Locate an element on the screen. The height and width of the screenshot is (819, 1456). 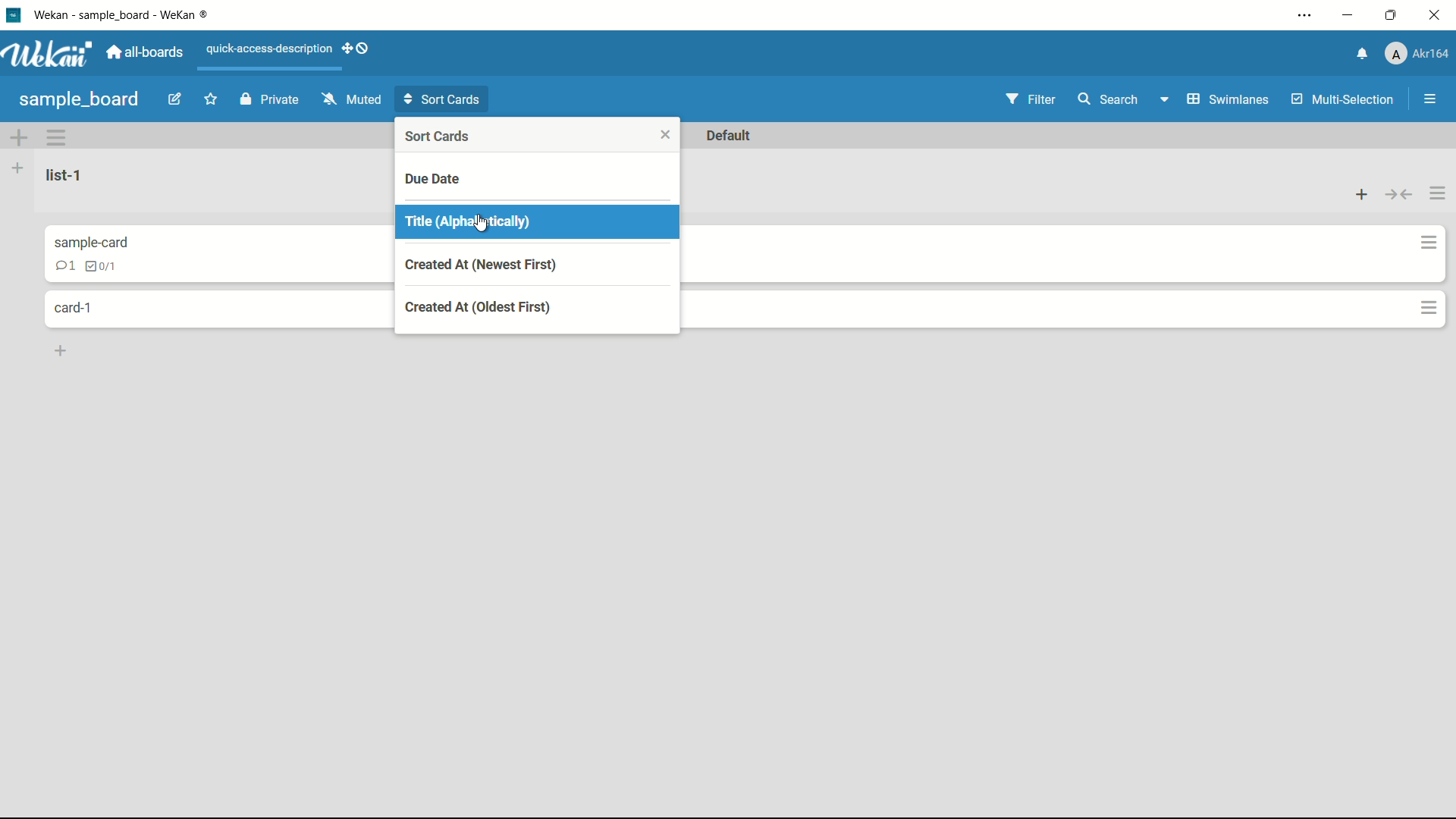
profile is located at coordinates (1417, 53).